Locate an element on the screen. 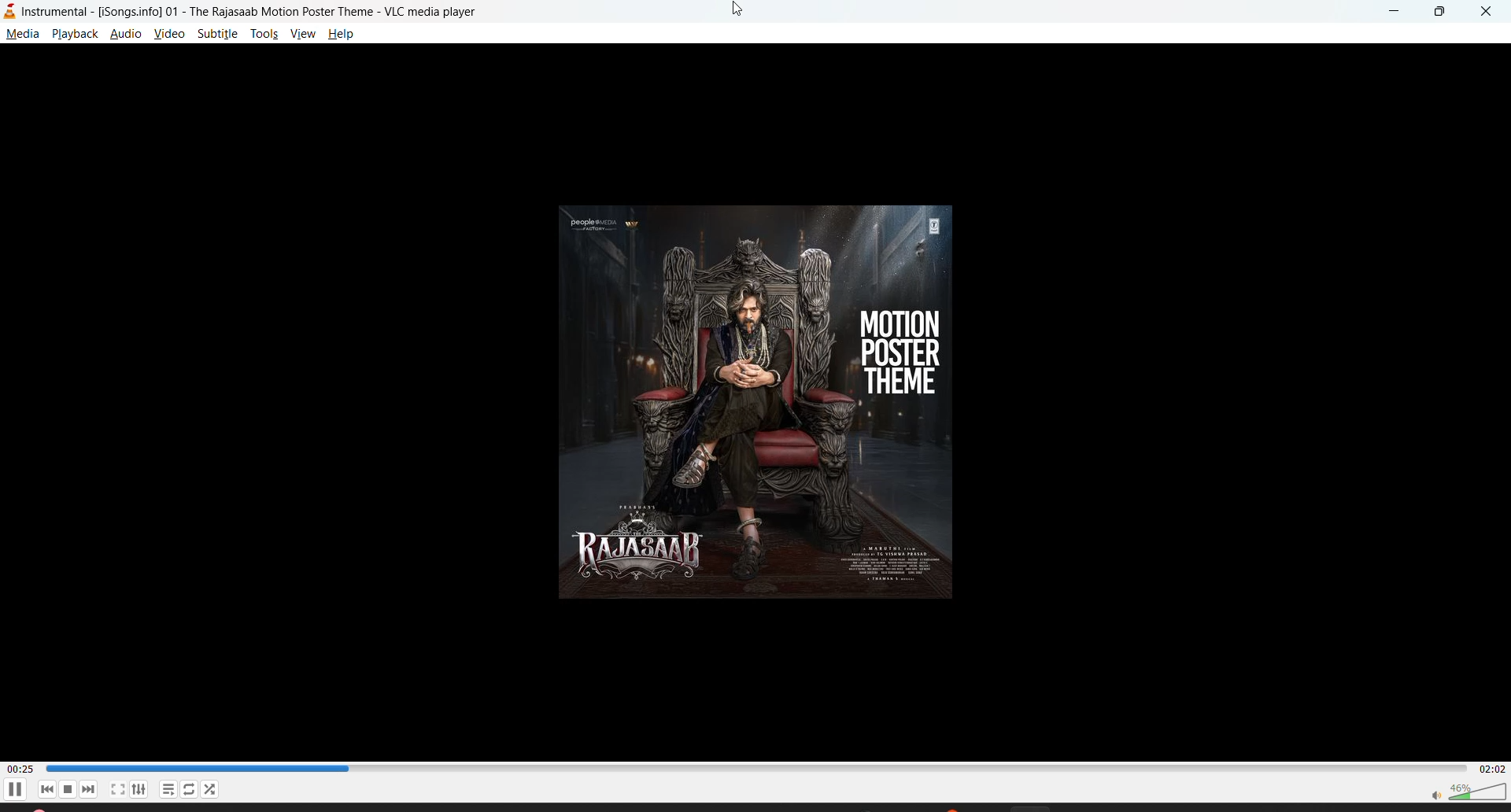  volume is located at coordinates (1468, 790).